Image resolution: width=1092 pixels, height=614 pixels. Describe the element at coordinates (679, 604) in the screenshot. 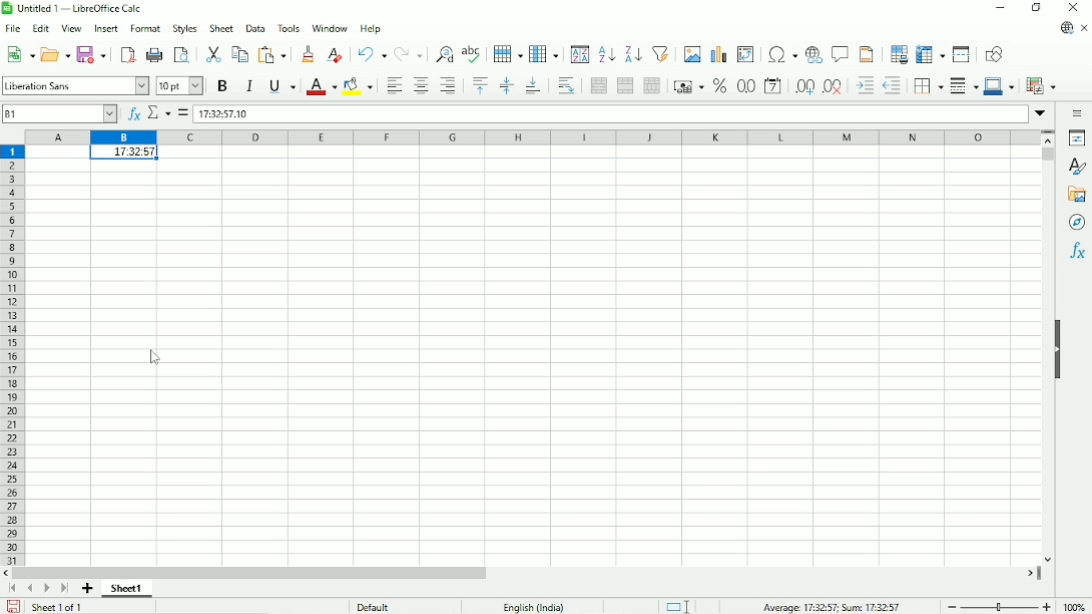

I see `Standard selection` at that location.